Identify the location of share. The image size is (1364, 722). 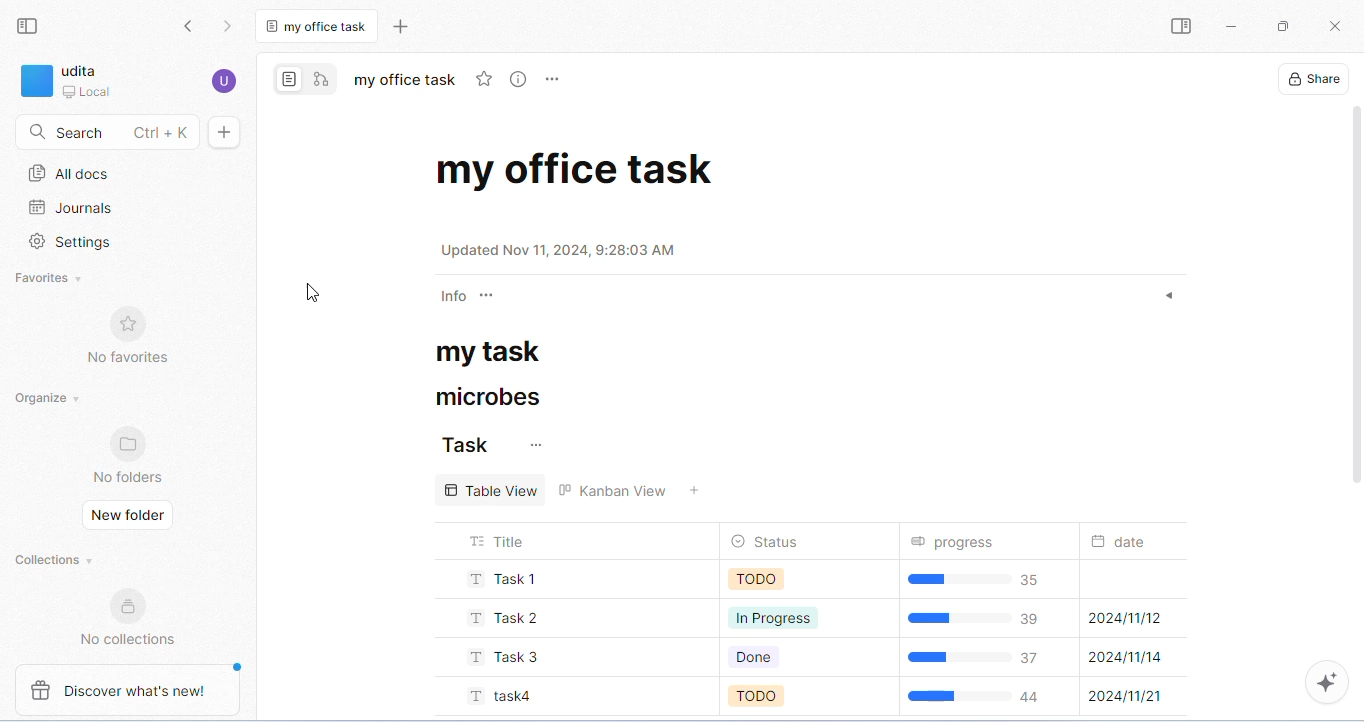
(1313, 79).